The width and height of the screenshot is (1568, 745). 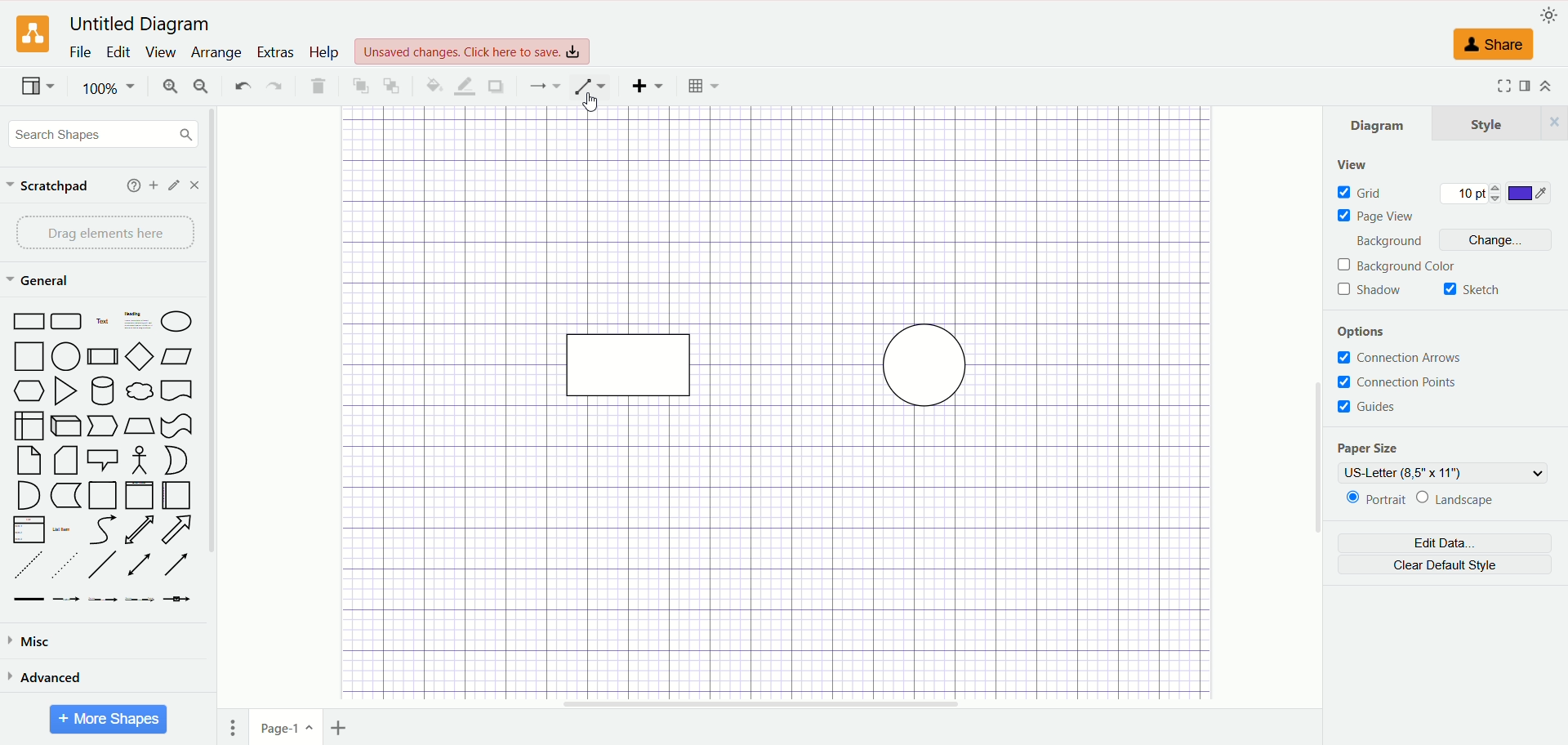 I want to click on insert page, so click(x=341, y=730).